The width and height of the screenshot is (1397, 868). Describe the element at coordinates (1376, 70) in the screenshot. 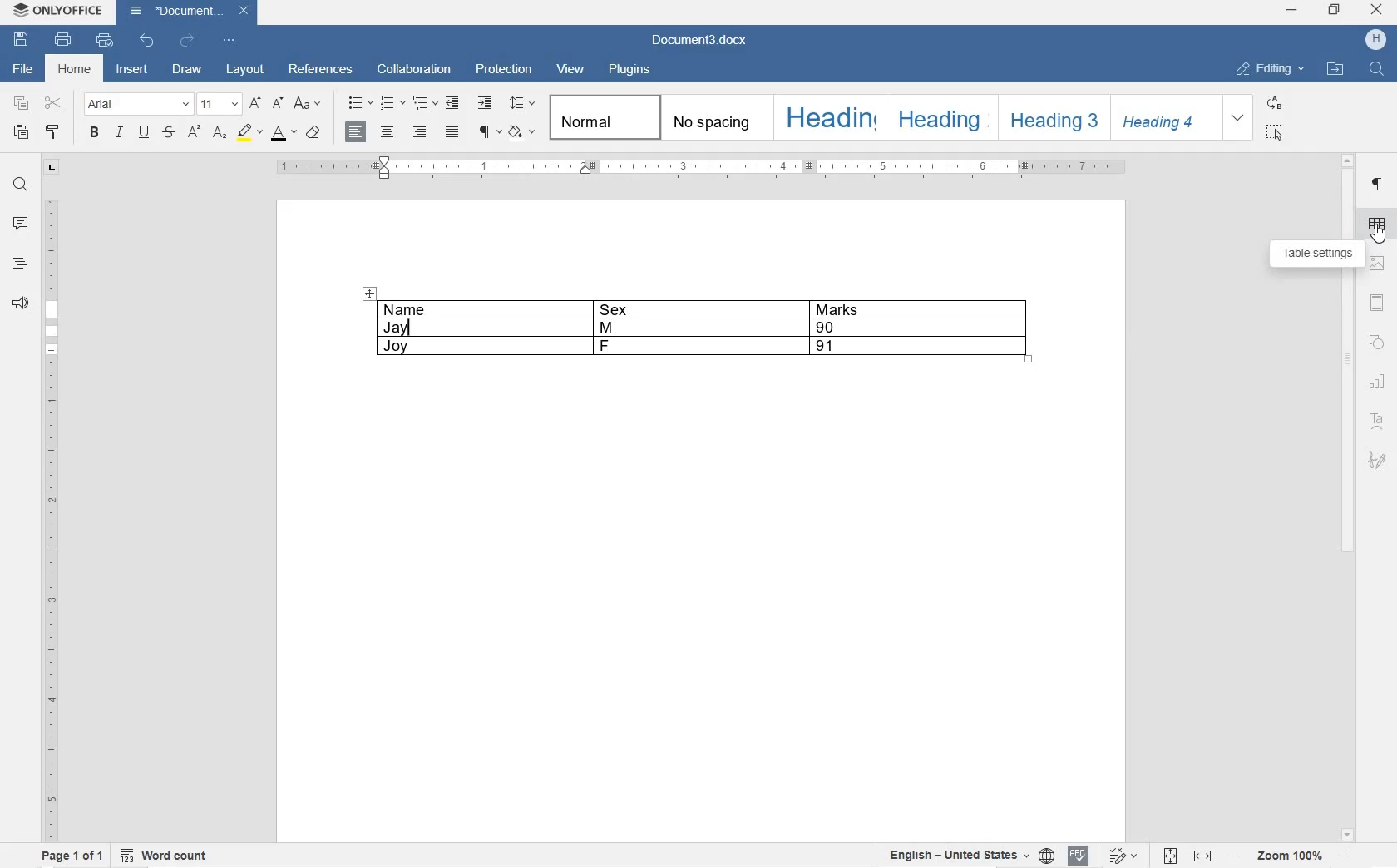

I see `FIND` at that location.